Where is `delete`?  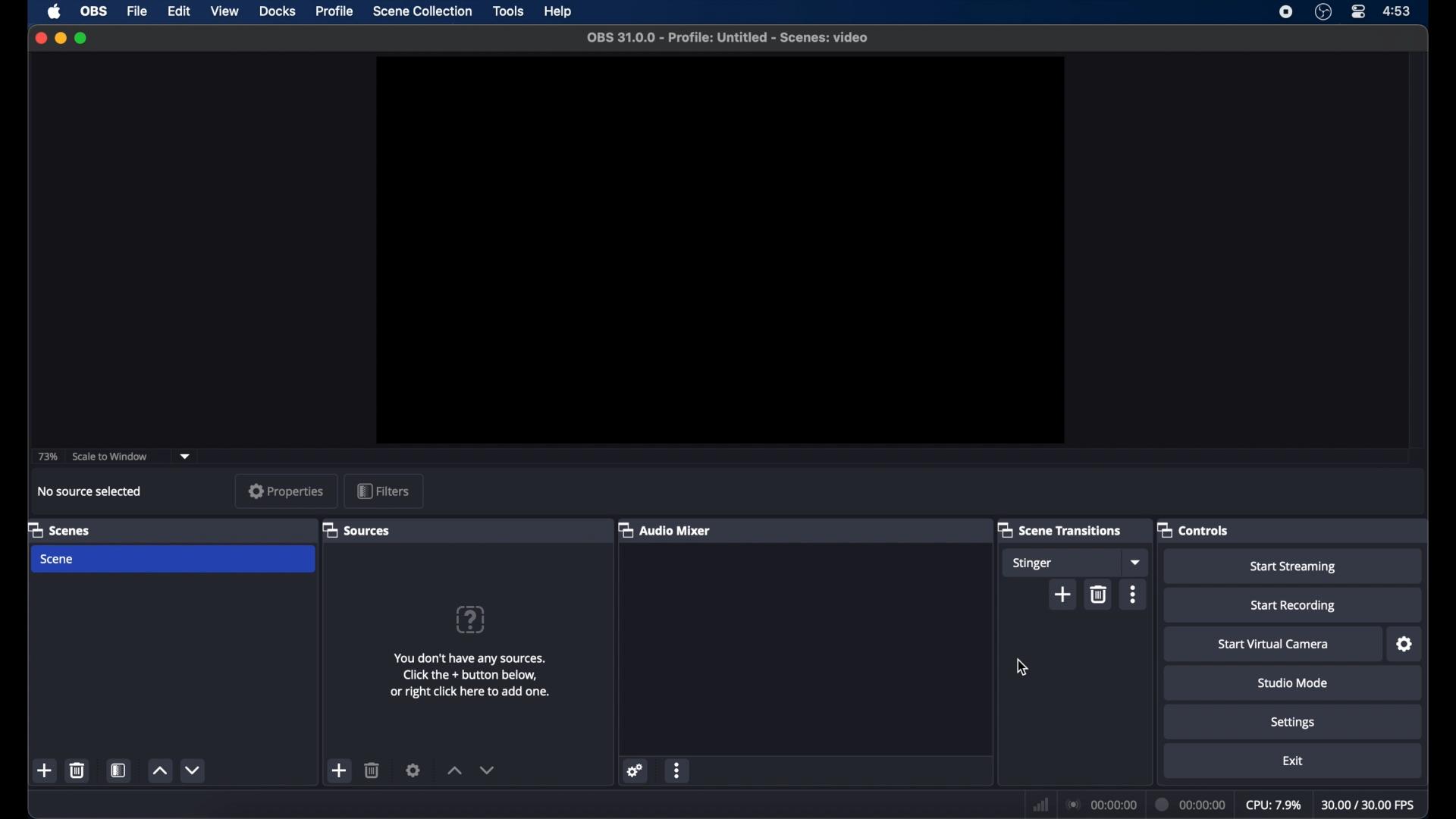 delete is located at coordinates (1100, 596).